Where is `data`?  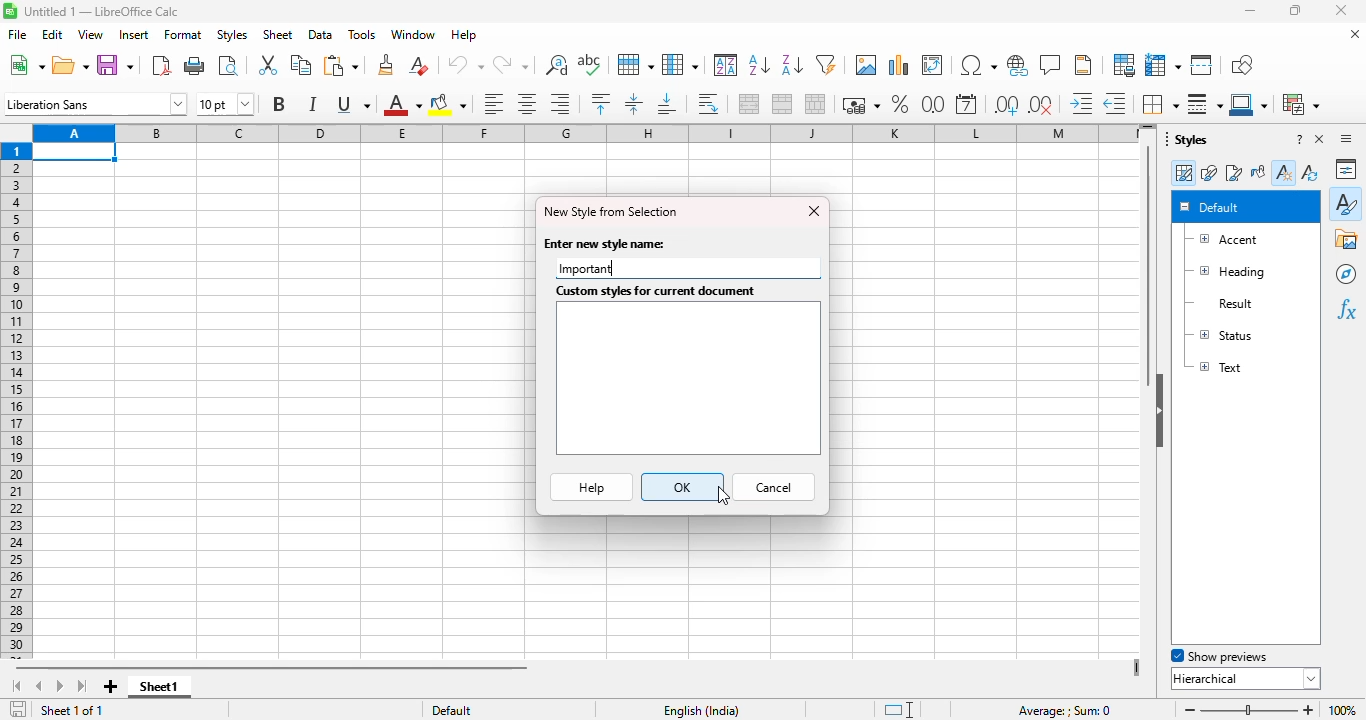
data is located at coordinates (321, 35).